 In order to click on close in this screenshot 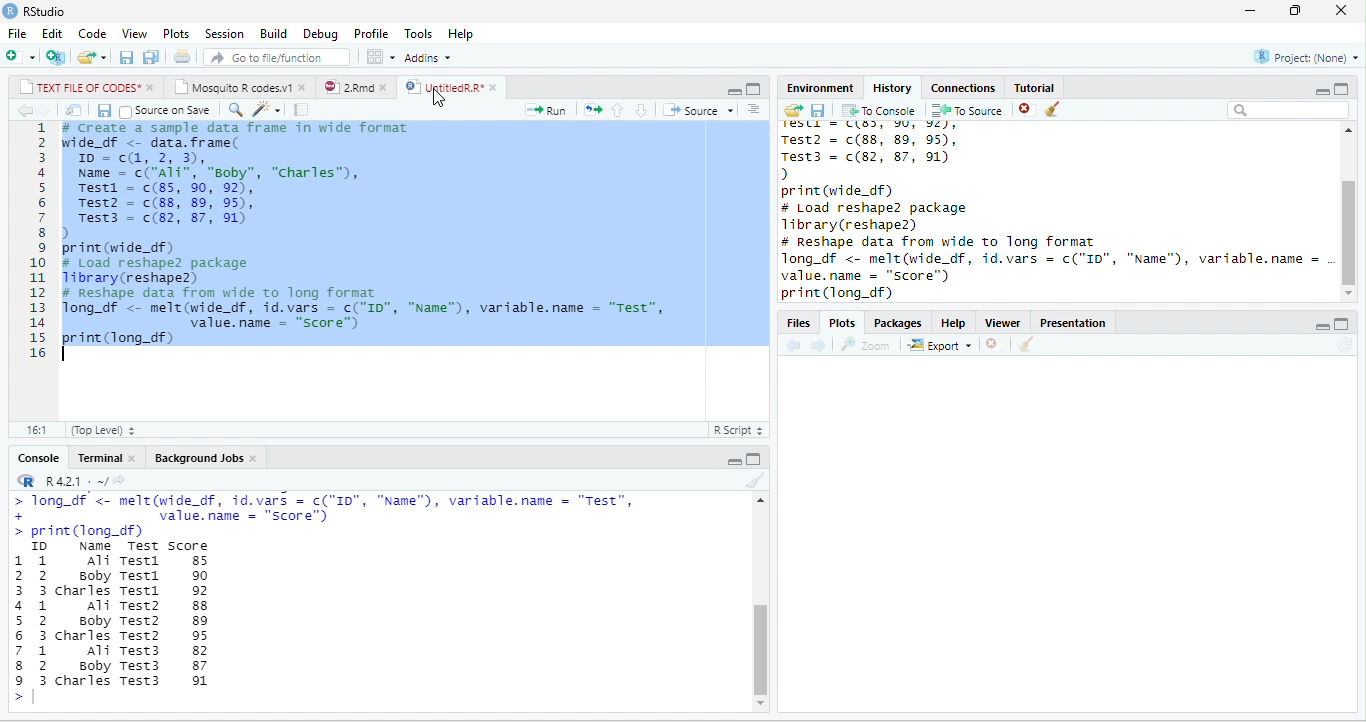, I will do `click(254, 459)`.